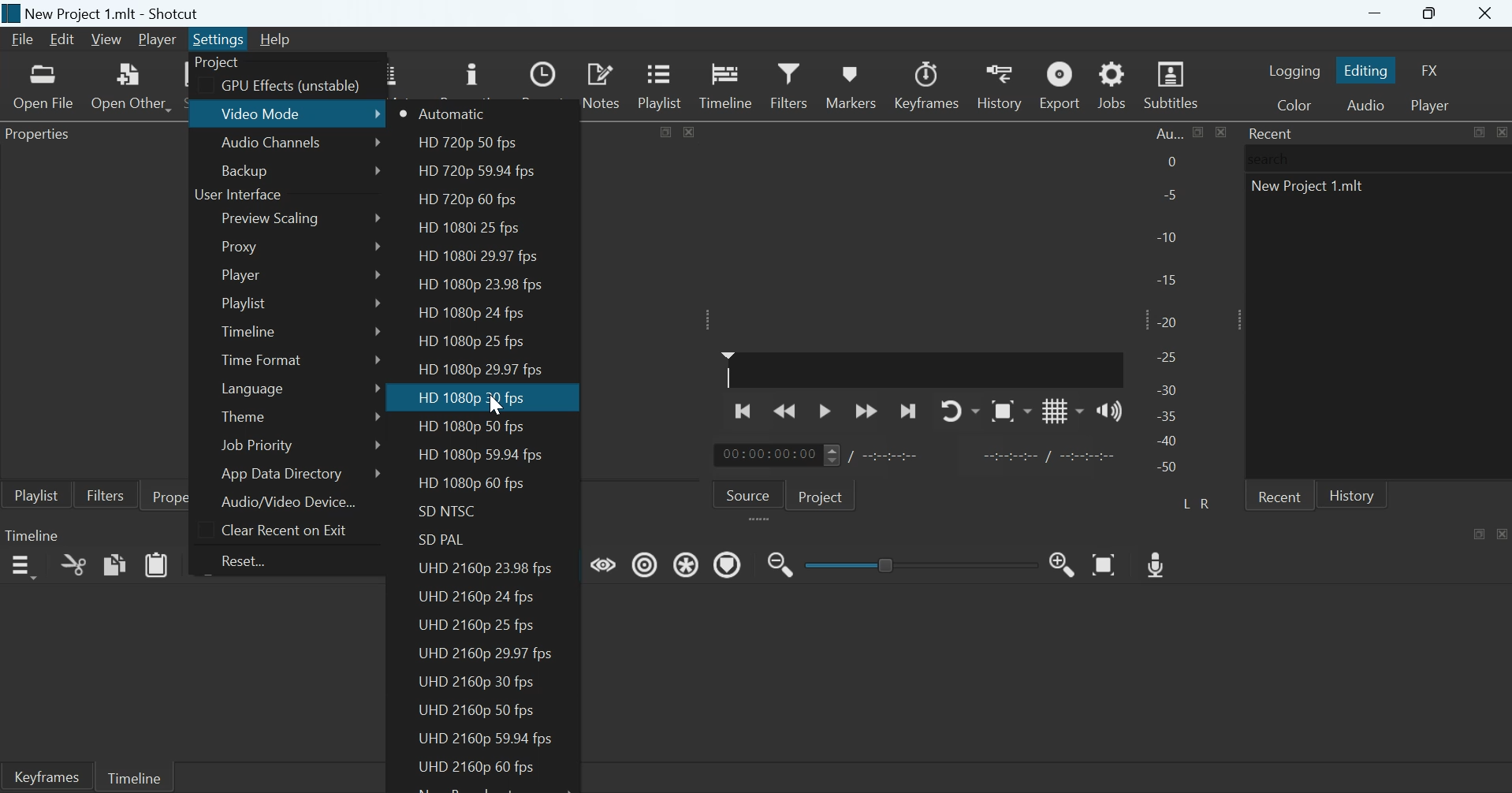  What do you see at coordinates (1109, 410) in the screenshot?
I see `Show the volume control` at bounding box center [1109, 410].